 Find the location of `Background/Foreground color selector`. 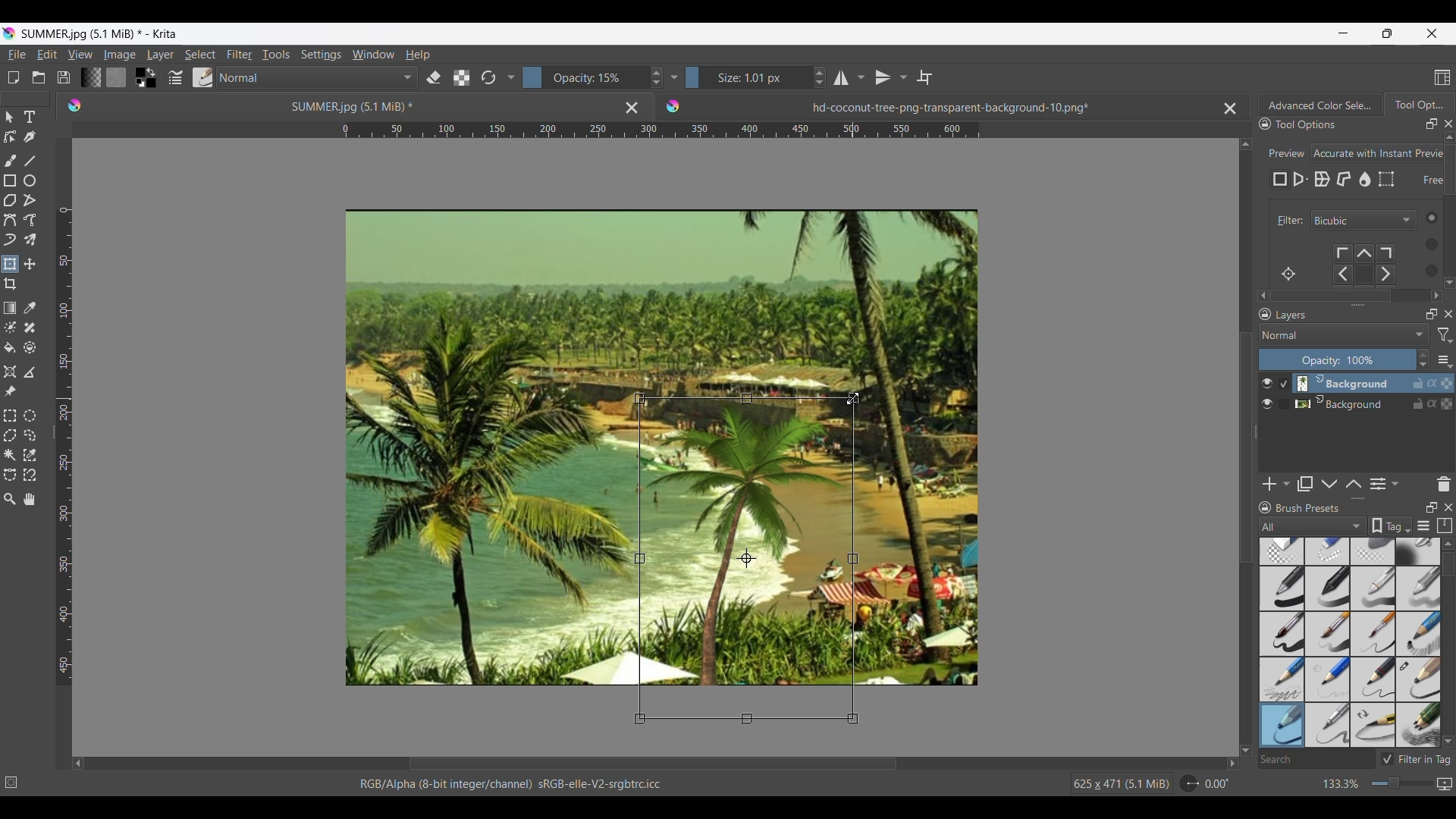

Background/Foreground color selector is located at coordinates (145, 77).